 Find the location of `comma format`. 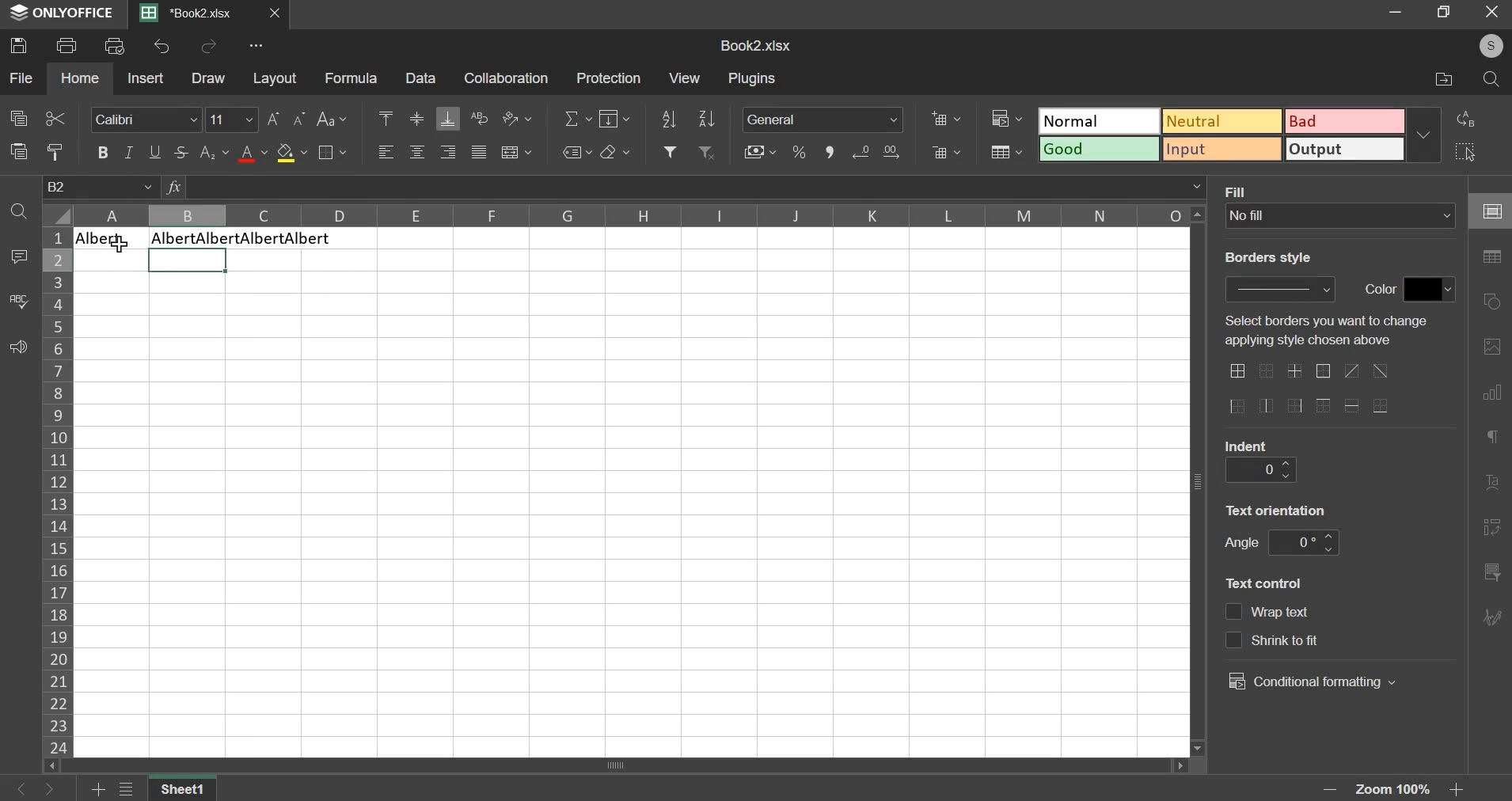

comma format is located at coordinates (829, 150).